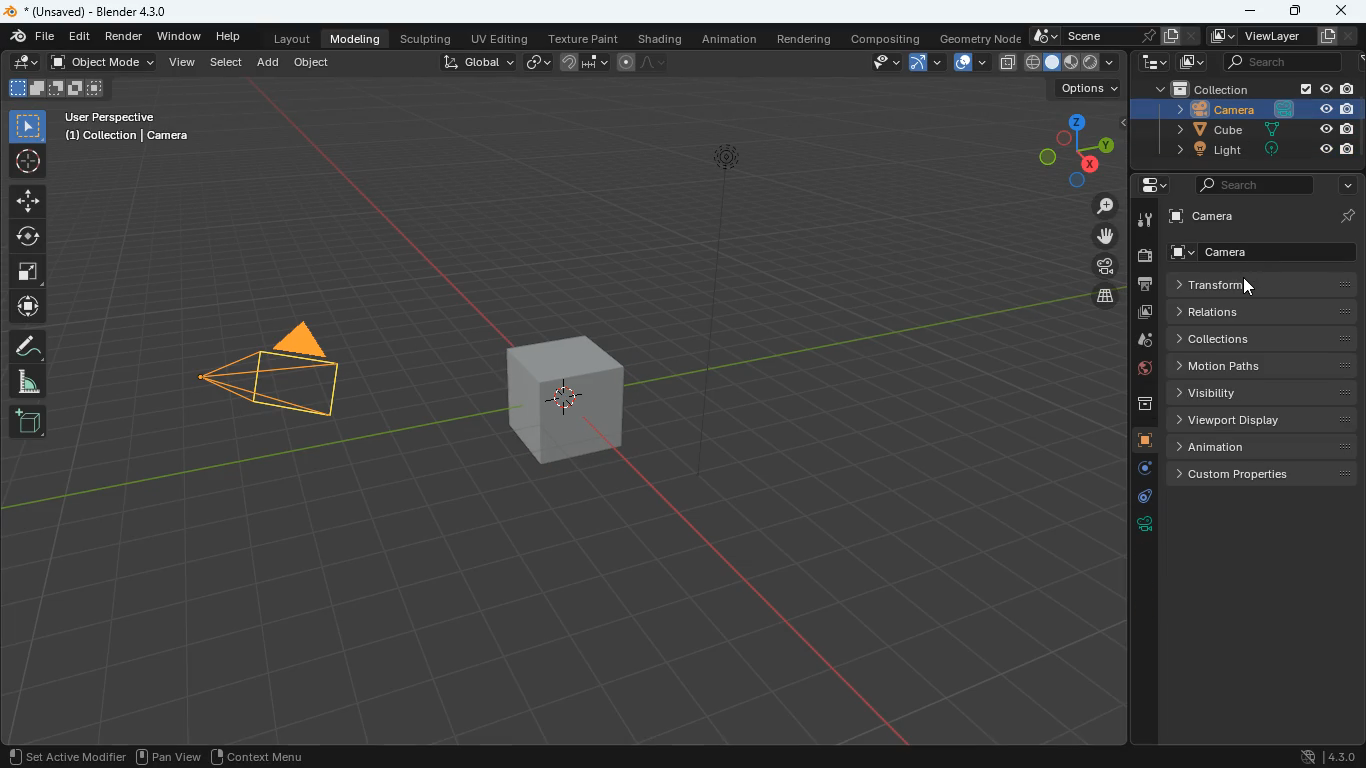 The image size is (1366, 768). I want to click on move, so click(28, 308).